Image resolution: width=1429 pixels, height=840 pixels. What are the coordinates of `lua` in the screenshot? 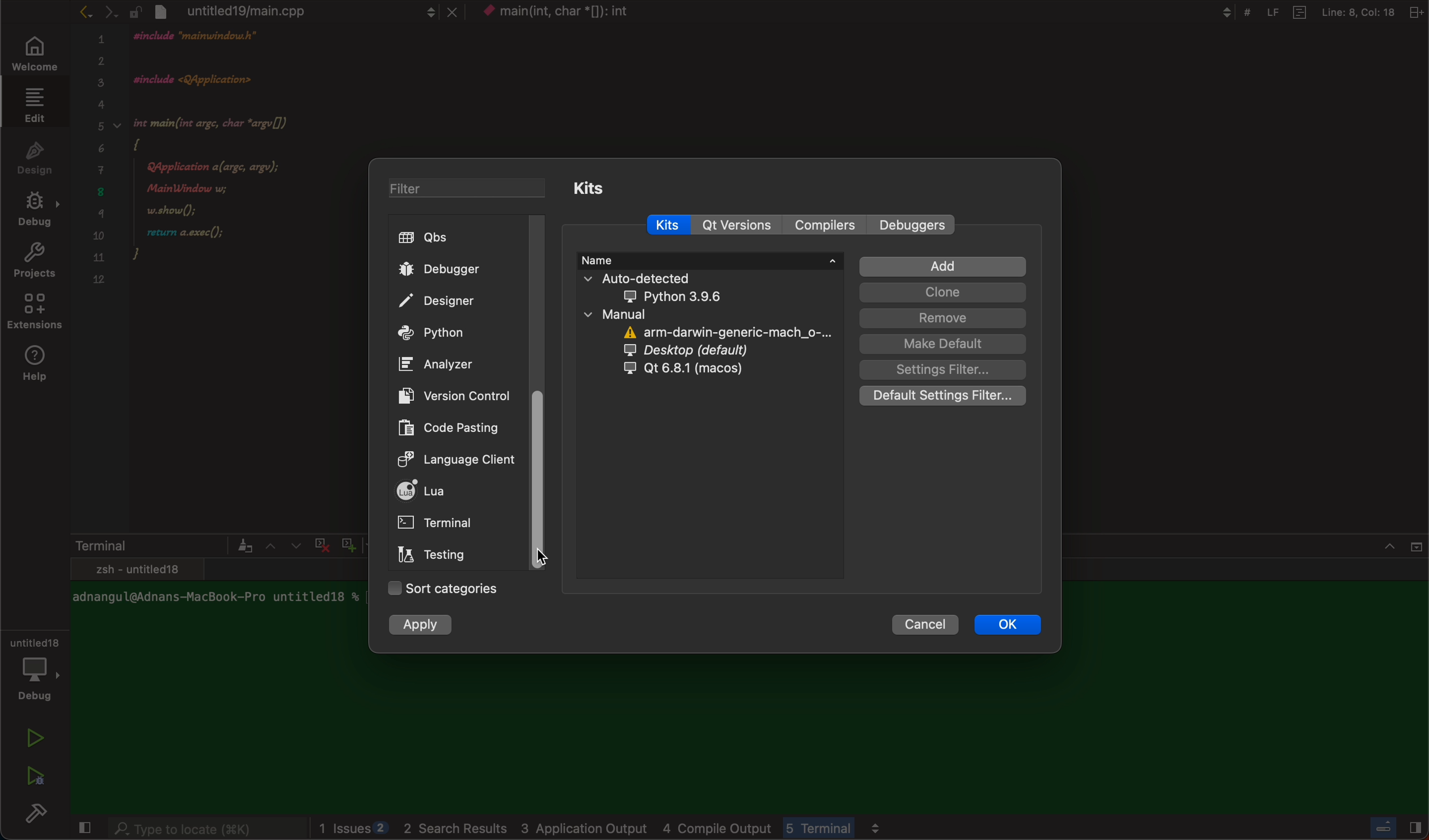 It's located at (452, 493).